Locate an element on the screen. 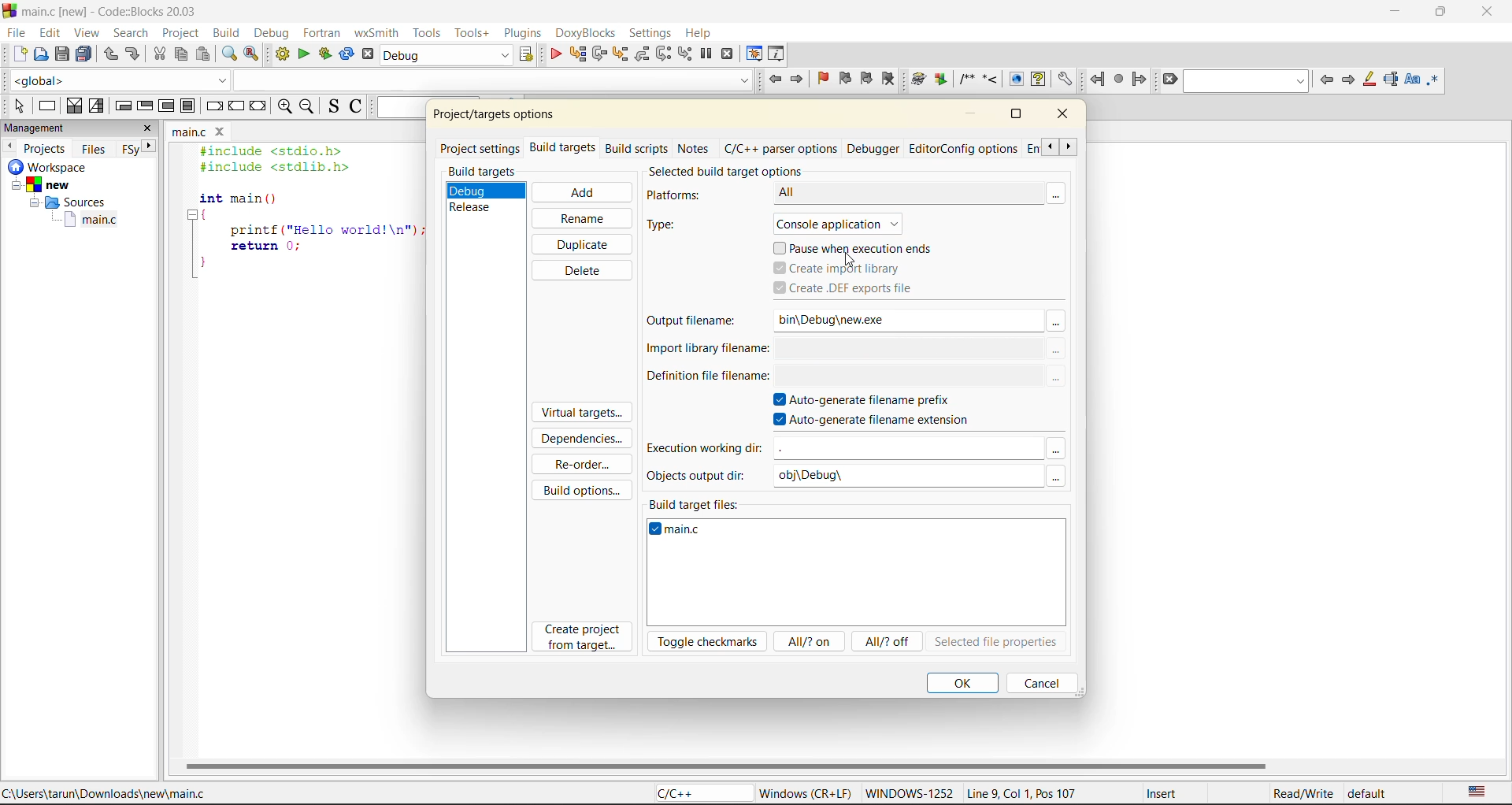  step out is located at coordinates (643, 54).